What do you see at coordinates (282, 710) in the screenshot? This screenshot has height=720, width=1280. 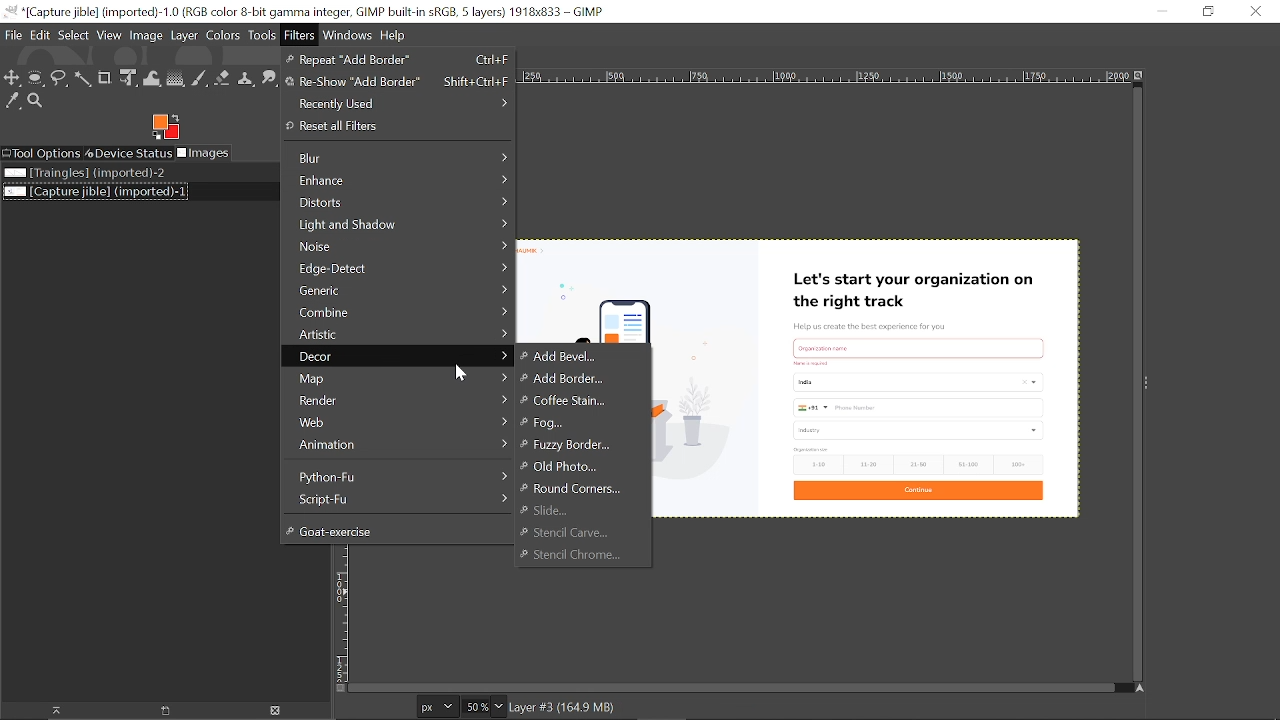 I see `Delete image` at bounding box center [282, 710].